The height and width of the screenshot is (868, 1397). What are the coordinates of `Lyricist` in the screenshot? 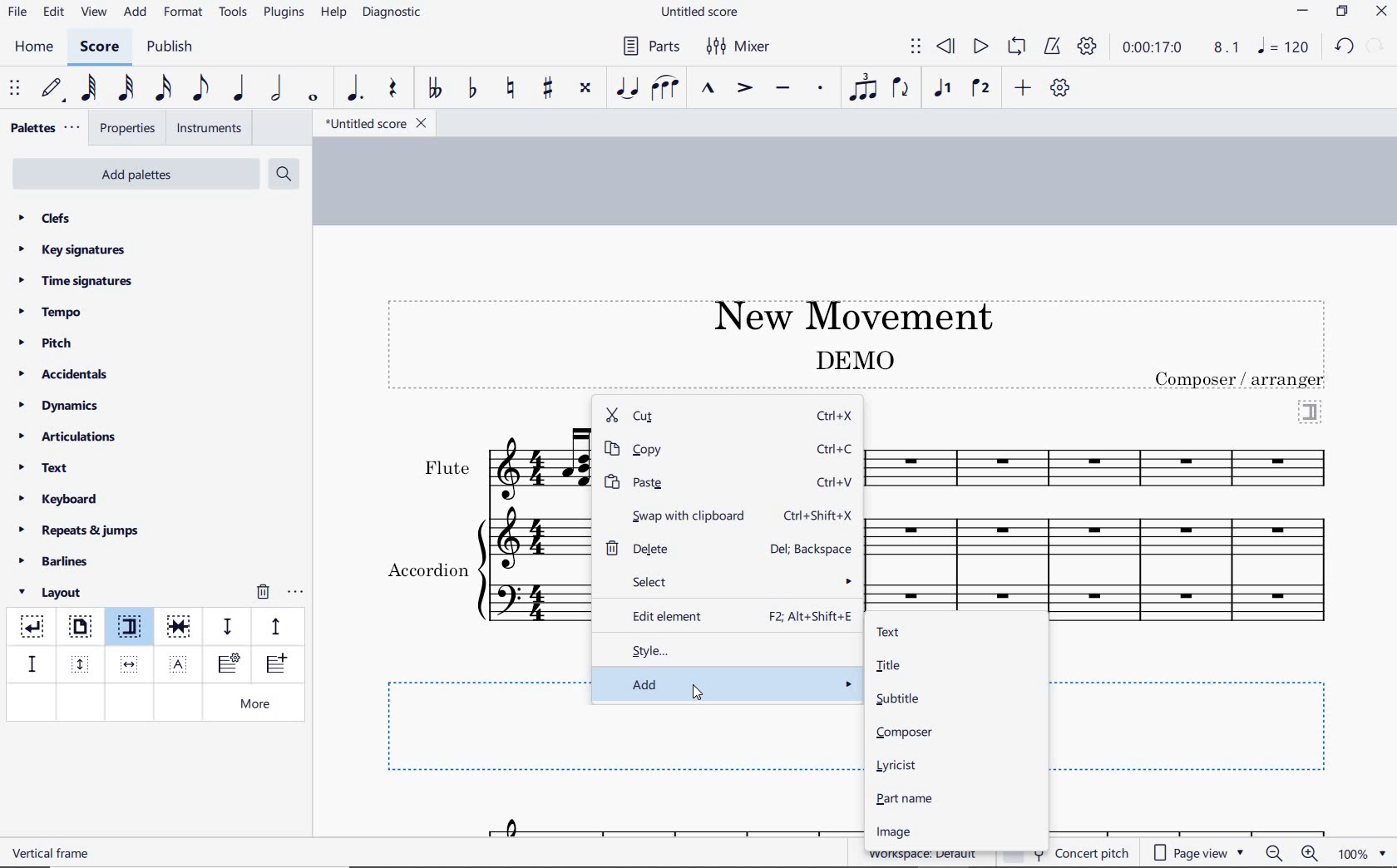 It's located at (900, 766).